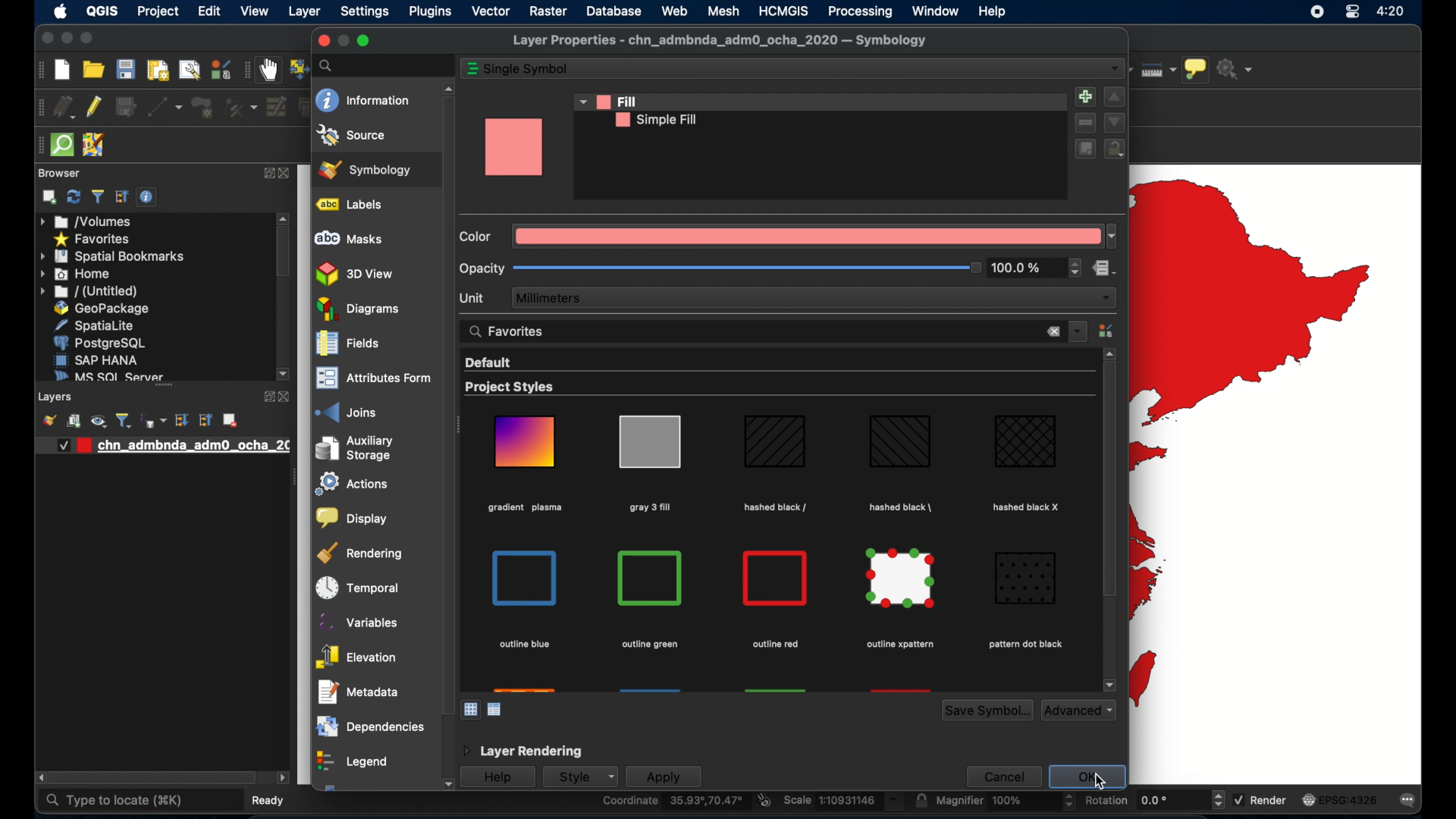 The image size is (1456, 819). Describe the element at coordinates (1410, 800) in the screenshot. I see `messages` at that location.